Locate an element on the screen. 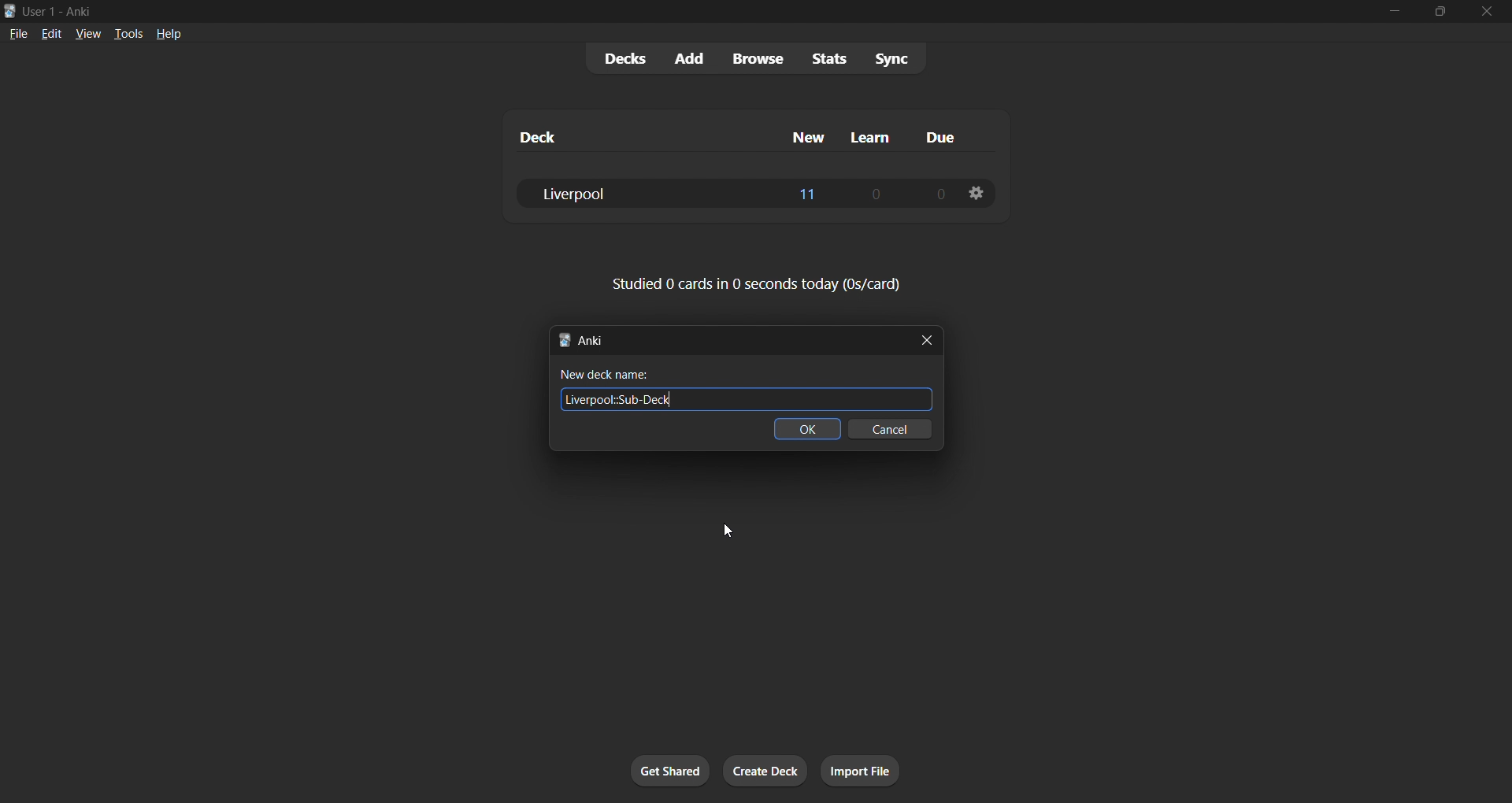  title bar is located at coordinates (651, 13).